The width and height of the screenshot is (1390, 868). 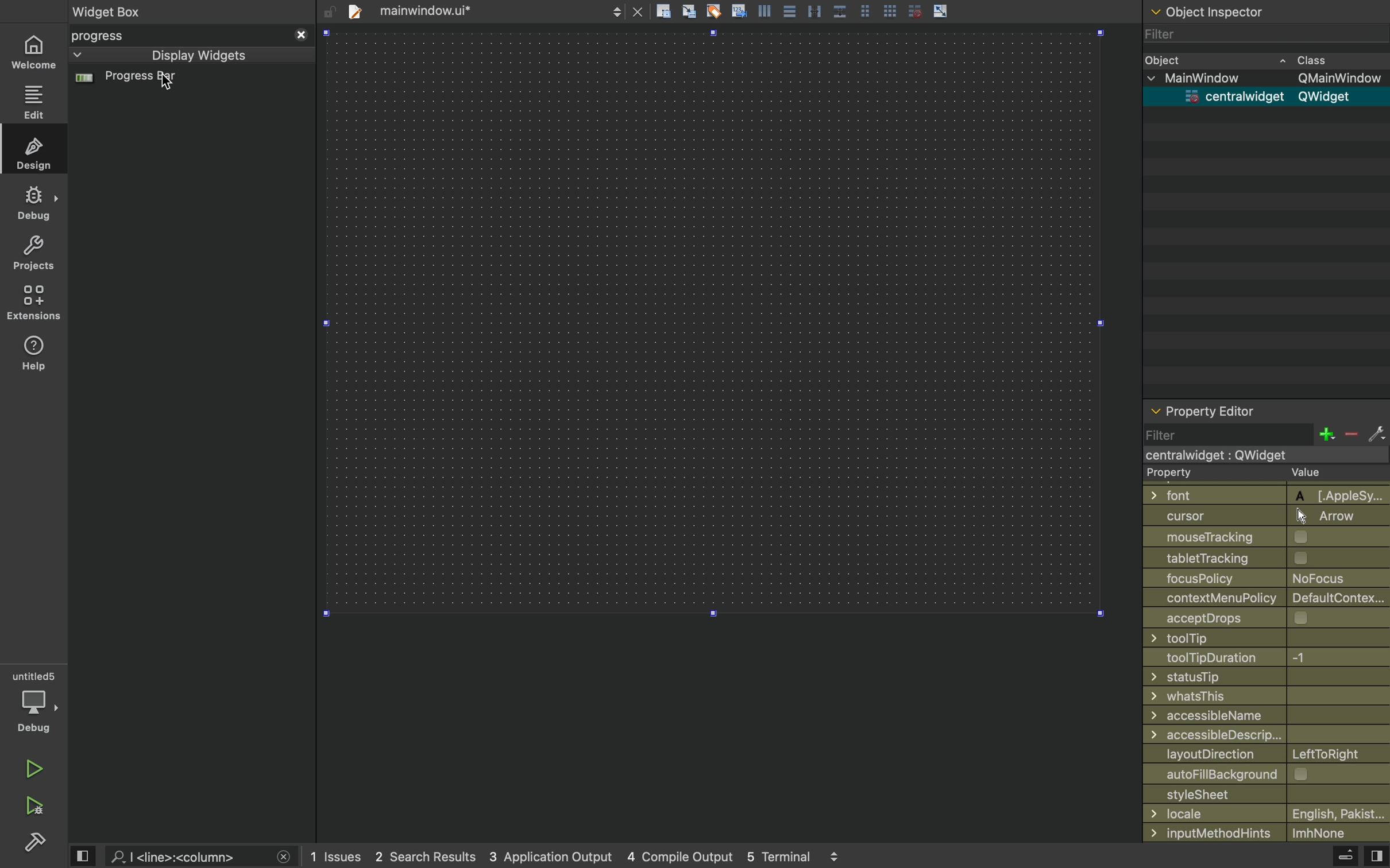 What do you see at coordinates (582, 857) in the screenshot?
I see `logs` at bounding box center [582, 857].